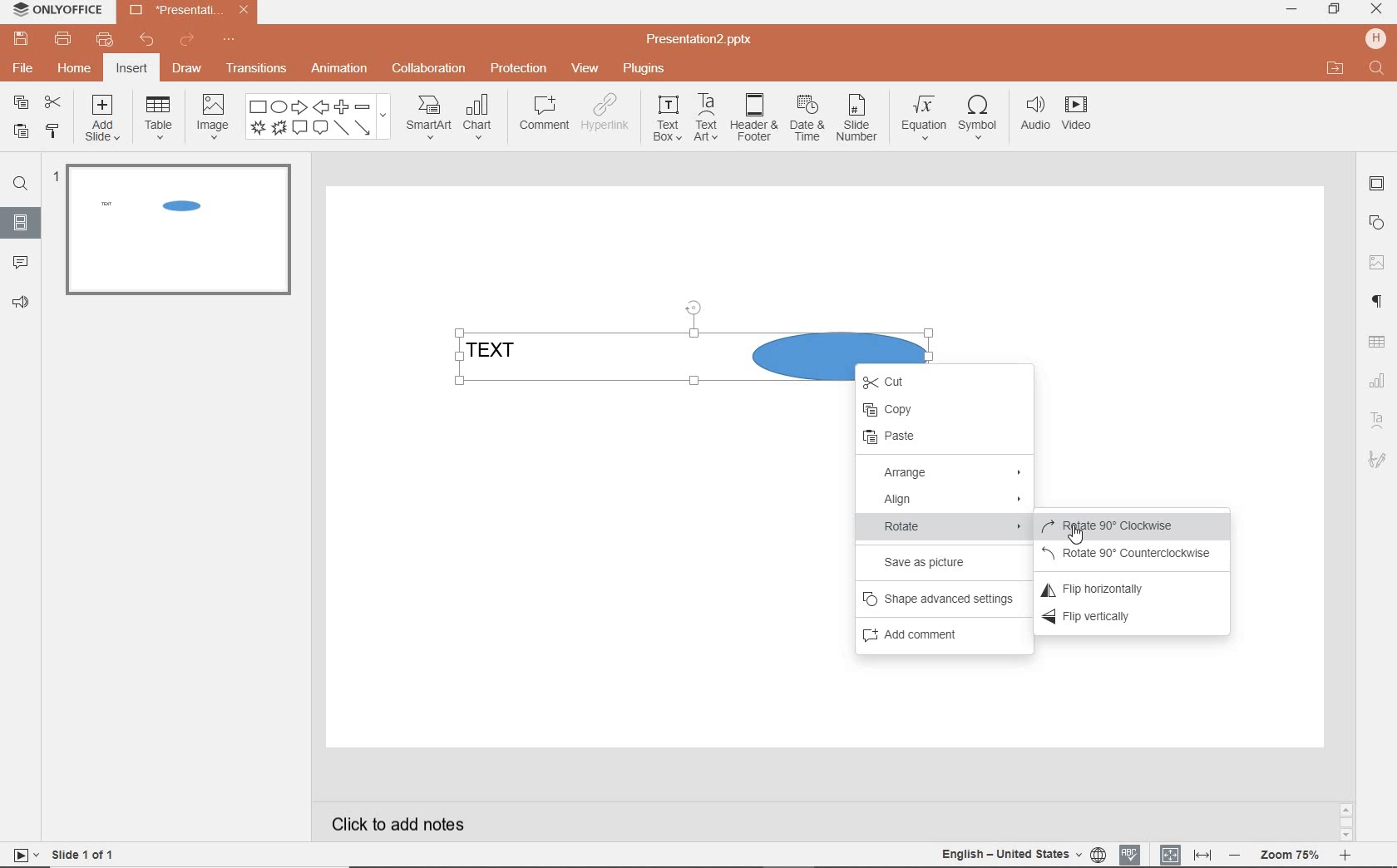  Describe the element at coordinates (1076, 535) in the screenshot. I see `cursor` at that location.